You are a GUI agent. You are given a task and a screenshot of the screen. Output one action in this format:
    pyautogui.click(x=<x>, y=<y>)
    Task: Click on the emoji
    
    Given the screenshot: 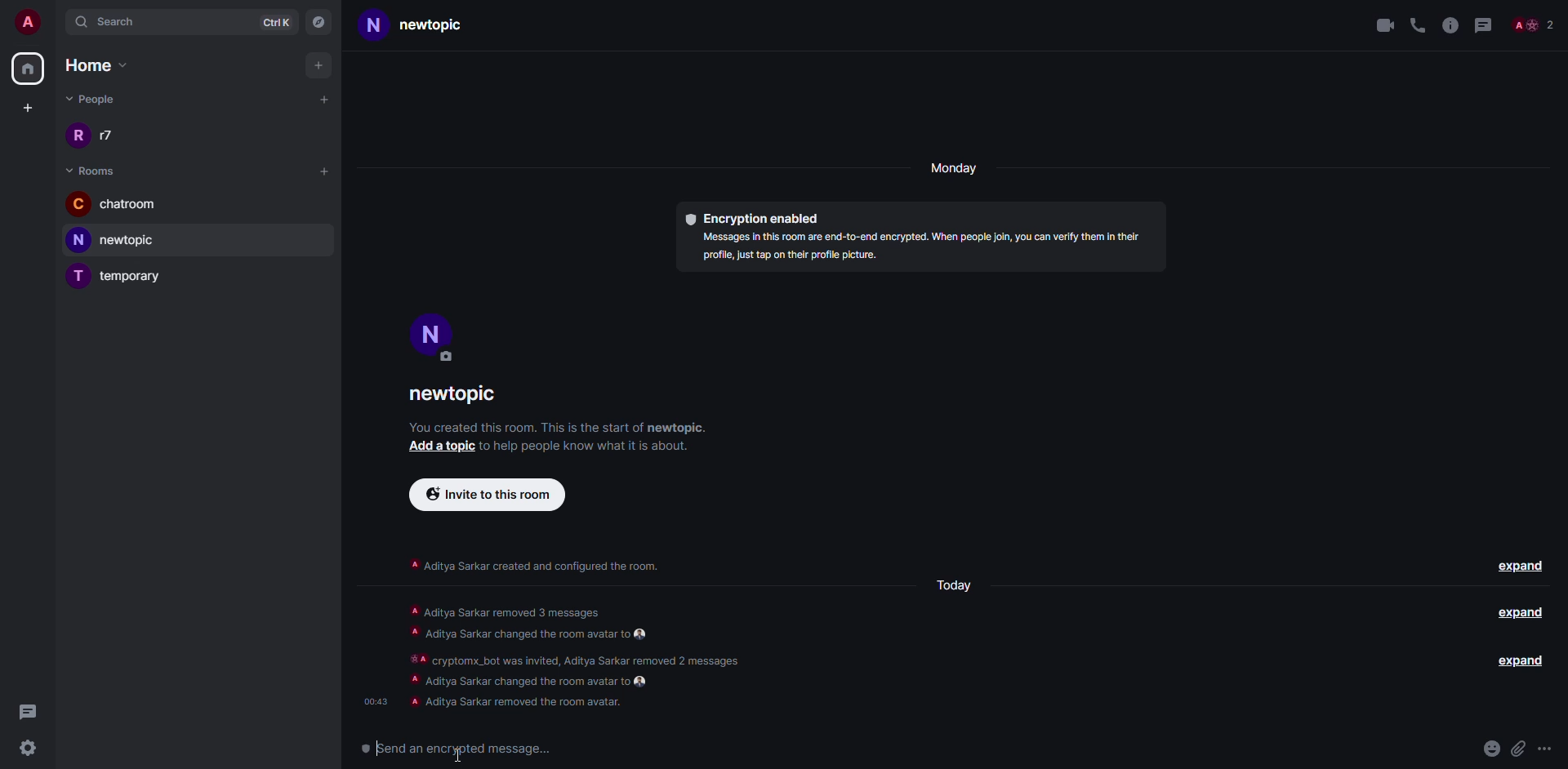 What is the action you would take?
    pyautogui.click(x=1491, y=749)
    